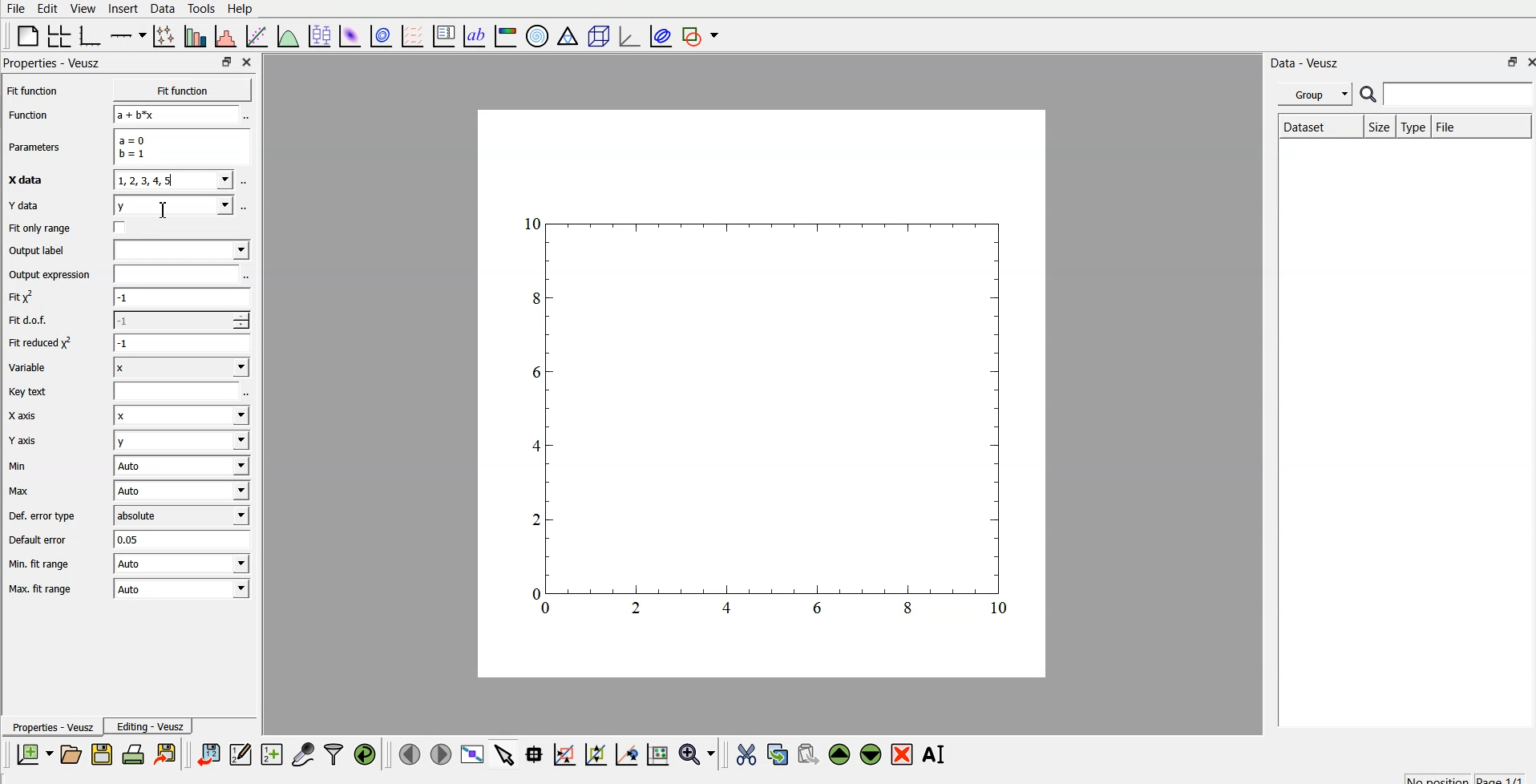  What do you see at coordinates (46, 180) in the screenshot?
I see `X data` at bounding box center [46, 180].